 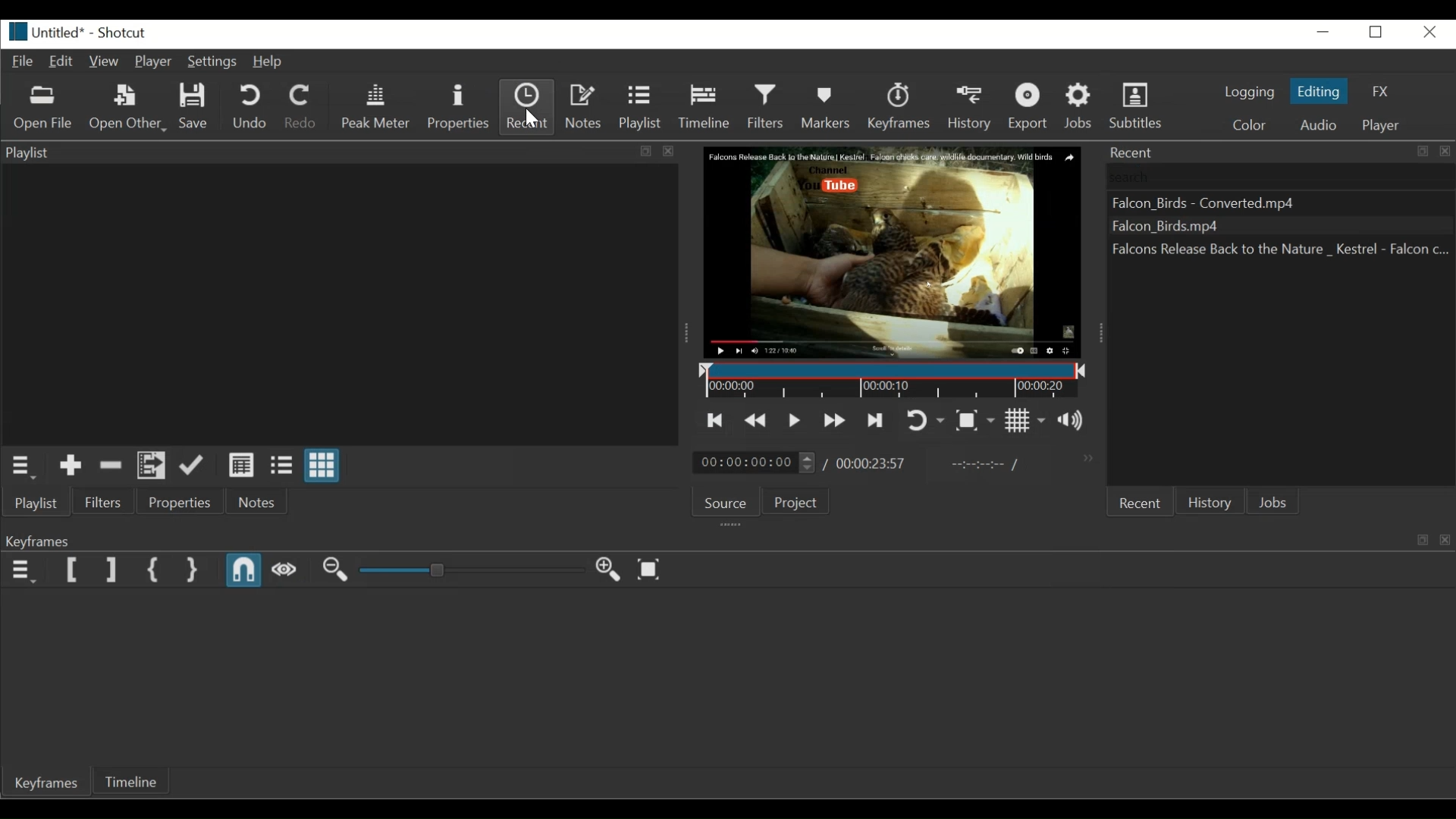 I want to click on Toggle play or pause (space), so click(x=795, y=419).